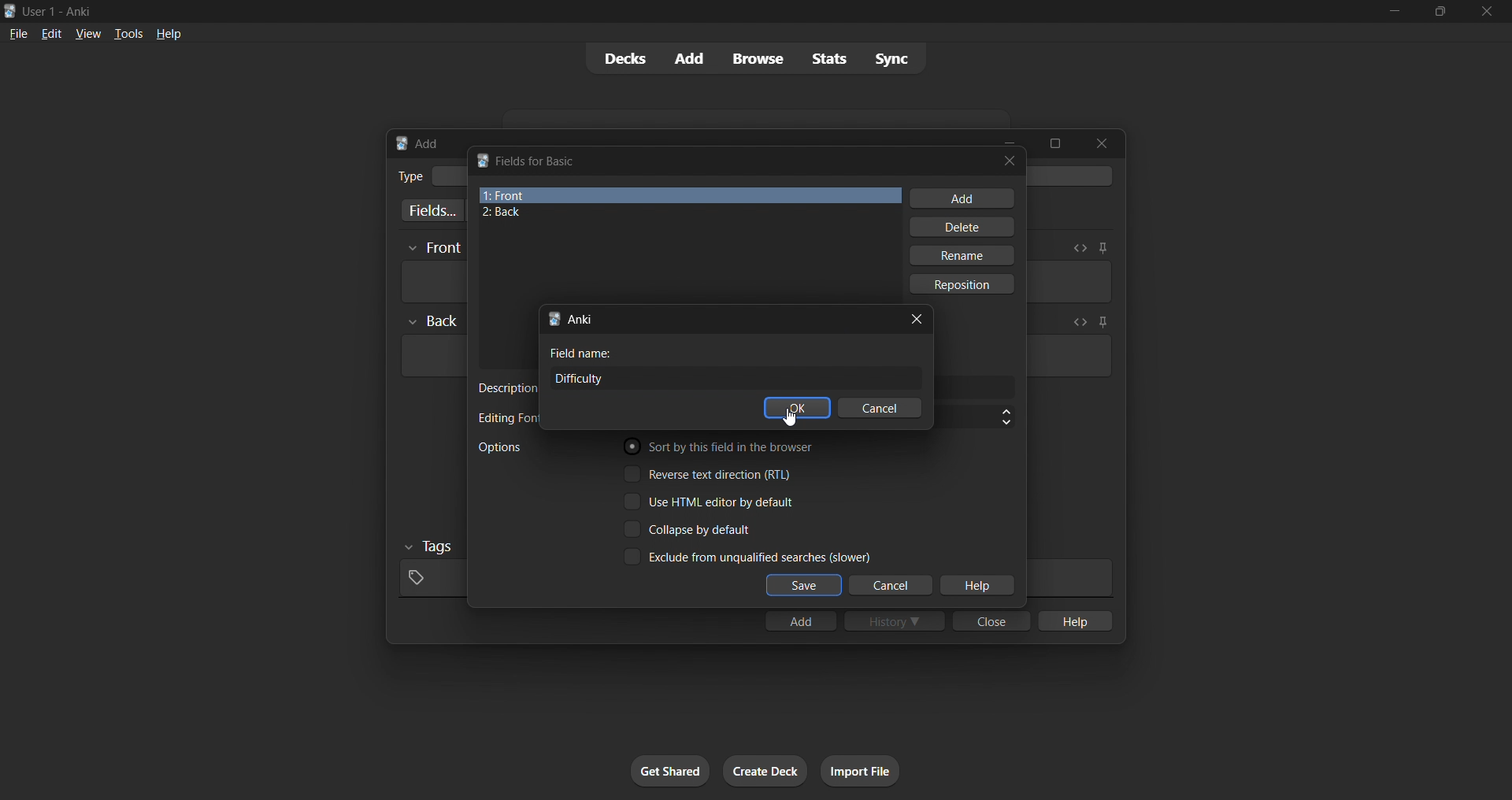 This screenshot has width=1512, height=800. What do you see at coordinates (1054, 143) in the screenshot?
I see `maximize` at bounding box center [1054, 143].